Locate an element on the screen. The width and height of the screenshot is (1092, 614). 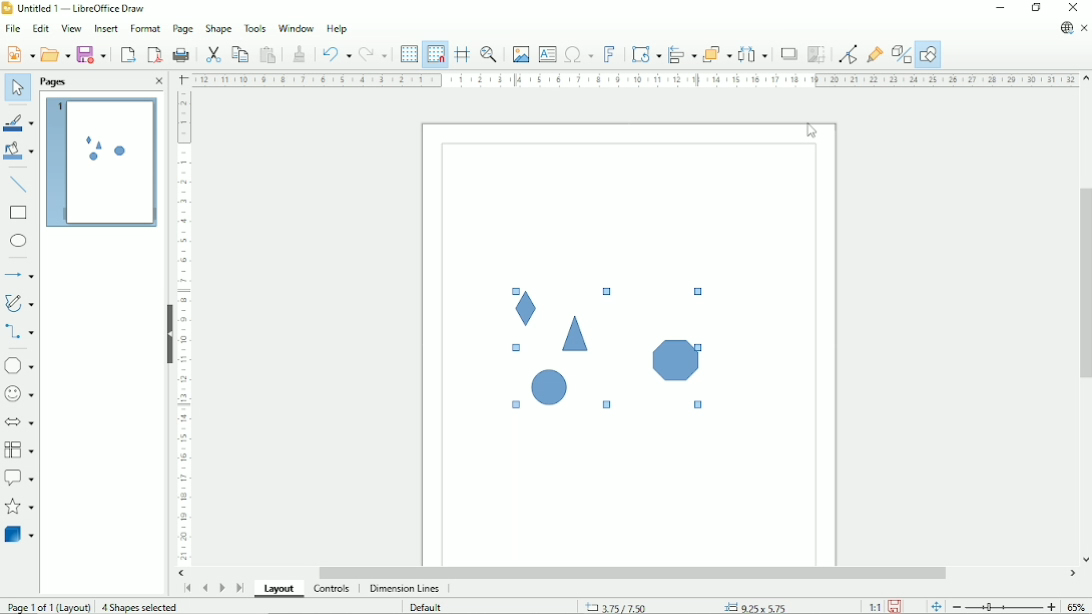
Controls is located at coordinates (332, 589).